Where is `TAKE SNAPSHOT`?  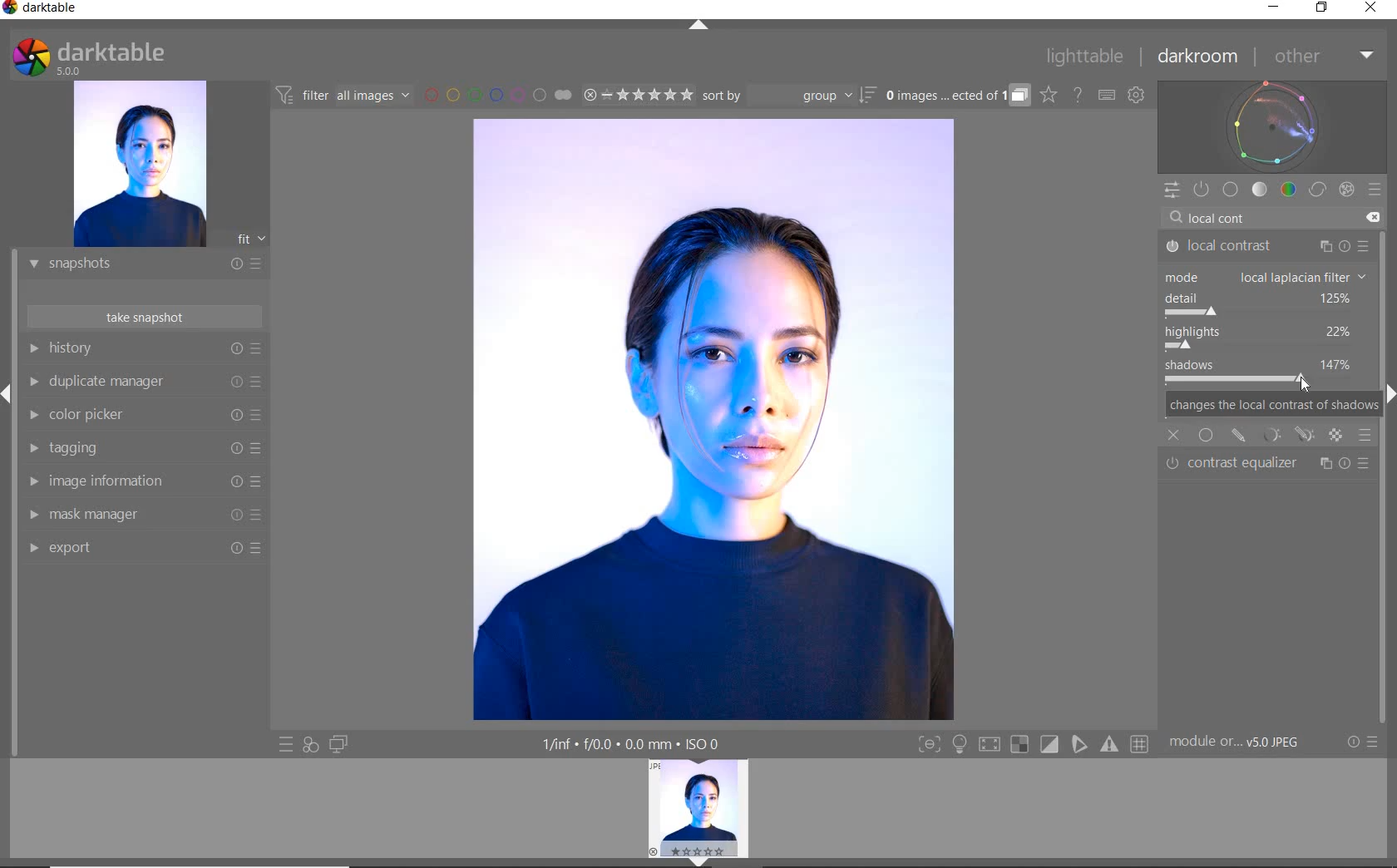 TAKE SNAPSHOT is located at coordinates (143, 316).